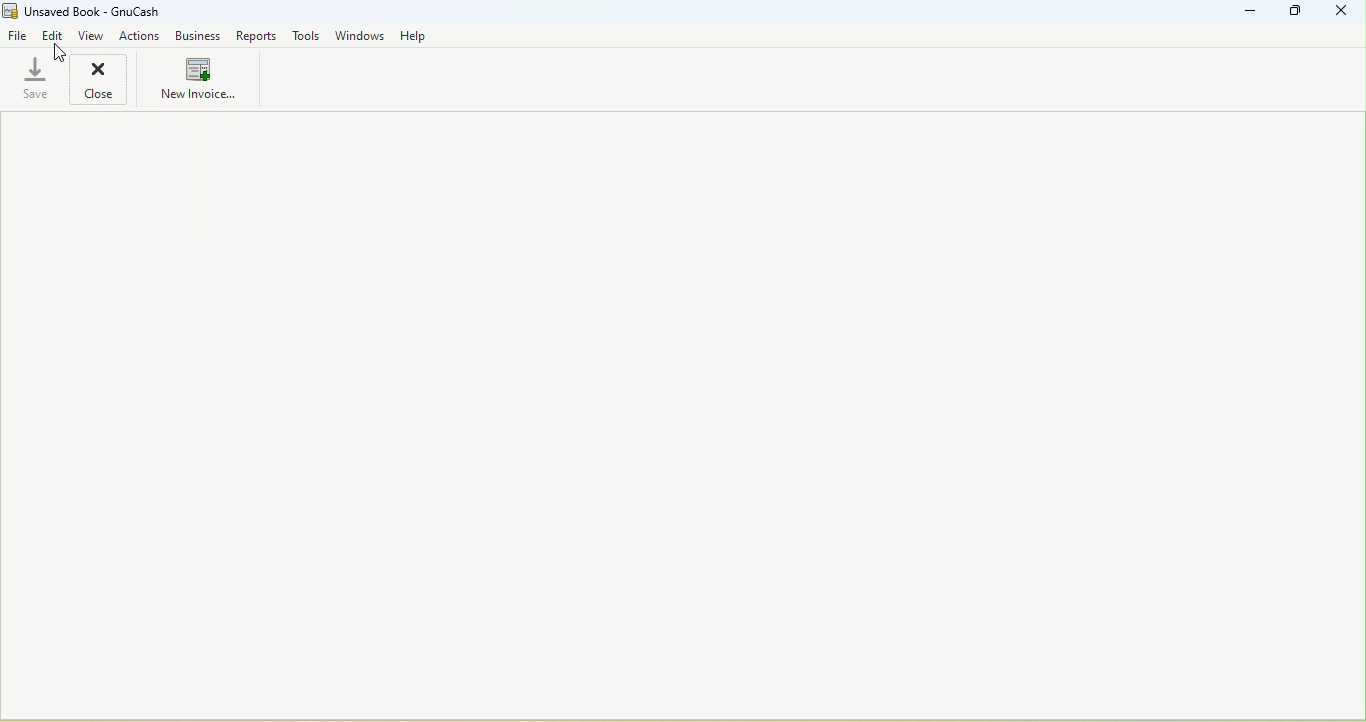  I want to click on View, so click(92, 36).